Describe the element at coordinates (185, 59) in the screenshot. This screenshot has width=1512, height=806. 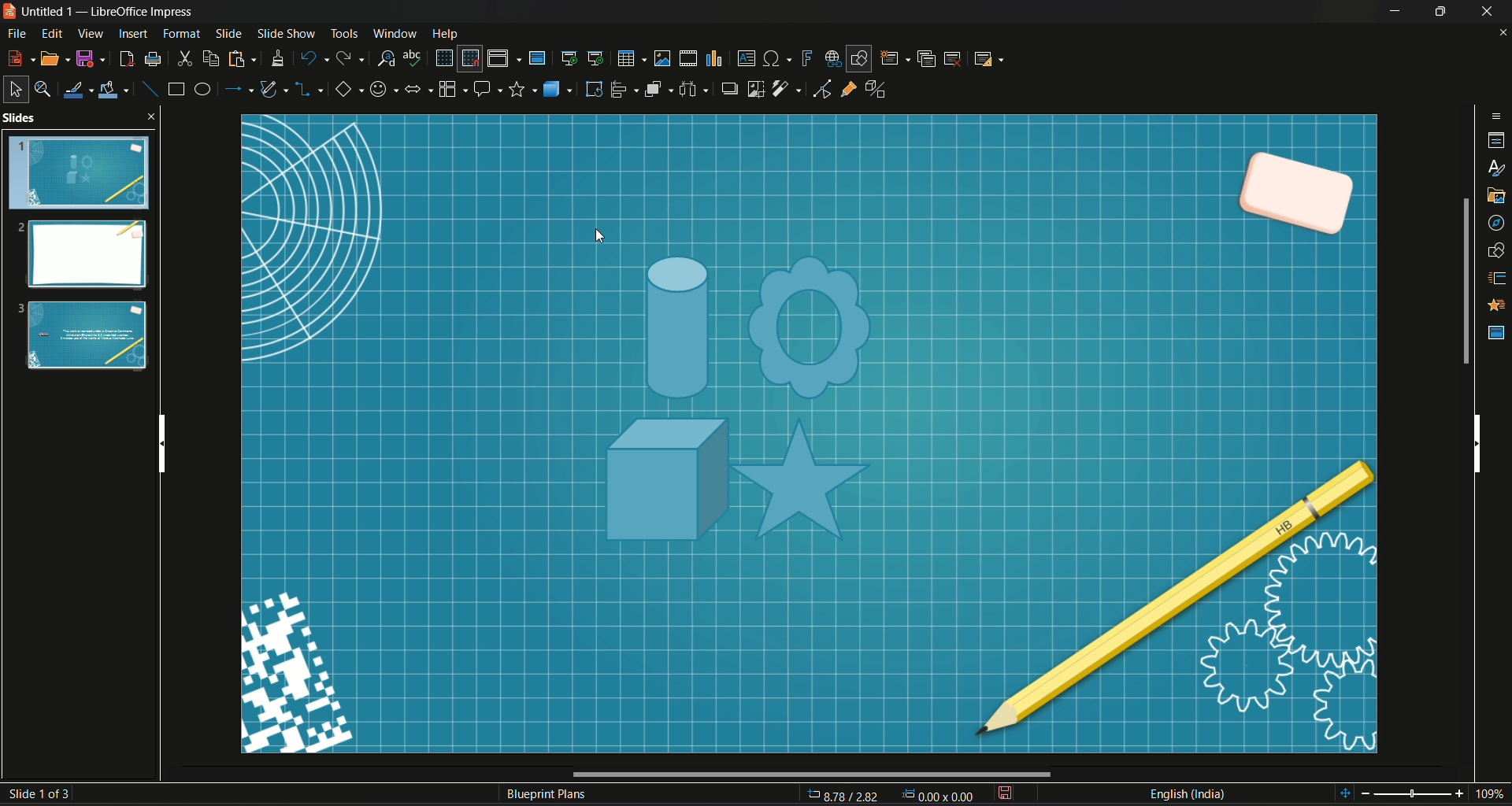
I see `cut` at that location.